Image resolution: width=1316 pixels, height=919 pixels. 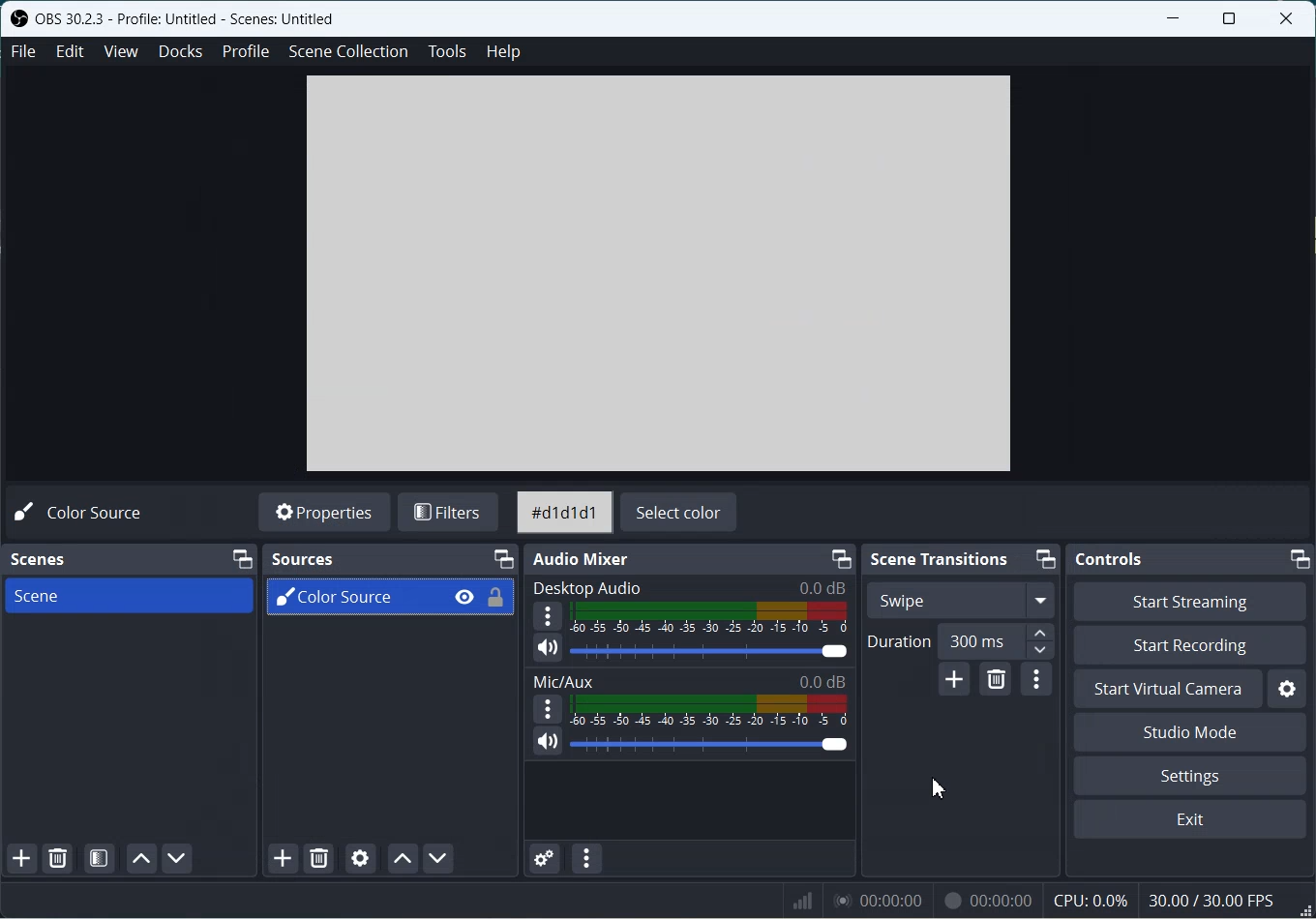 What do you see at coordinates (682, 512) in the screenshot?
I see `Select color` at bounding box center [682, 512].